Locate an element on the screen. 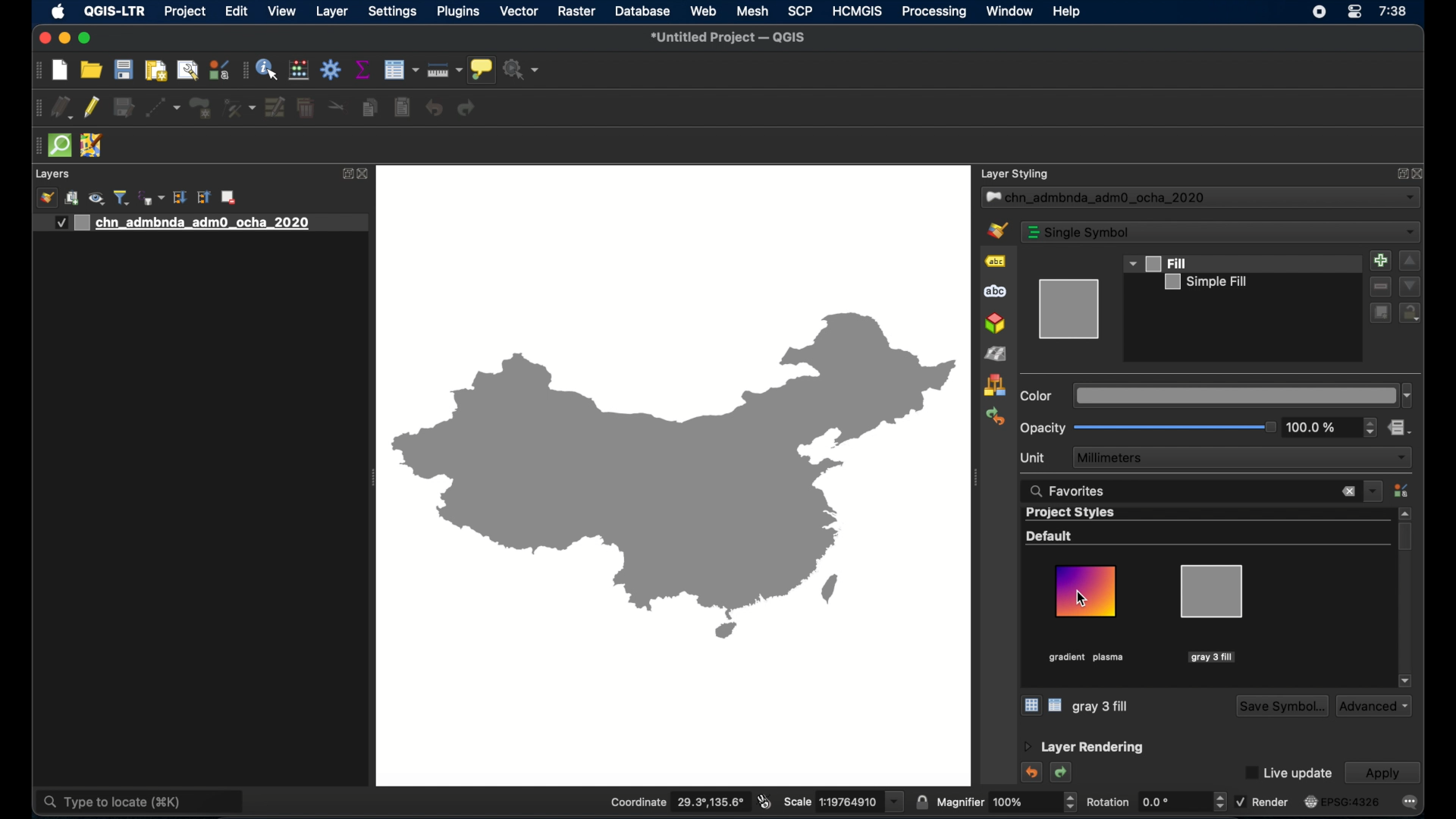  mesh is located at coordinates (752, 11).